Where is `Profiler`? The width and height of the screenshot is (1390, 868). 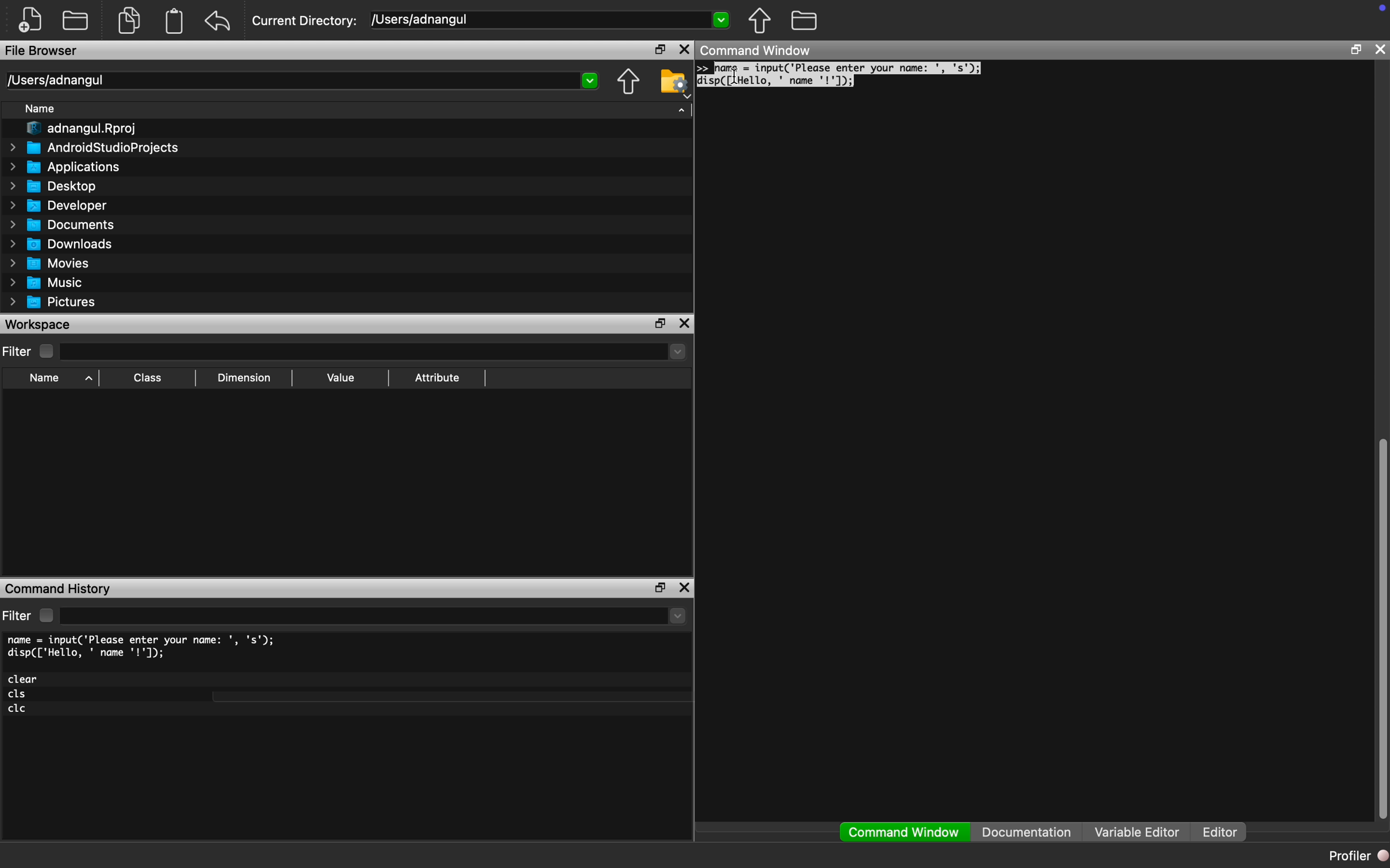 Profiler is located at coordinates (1357, 855).